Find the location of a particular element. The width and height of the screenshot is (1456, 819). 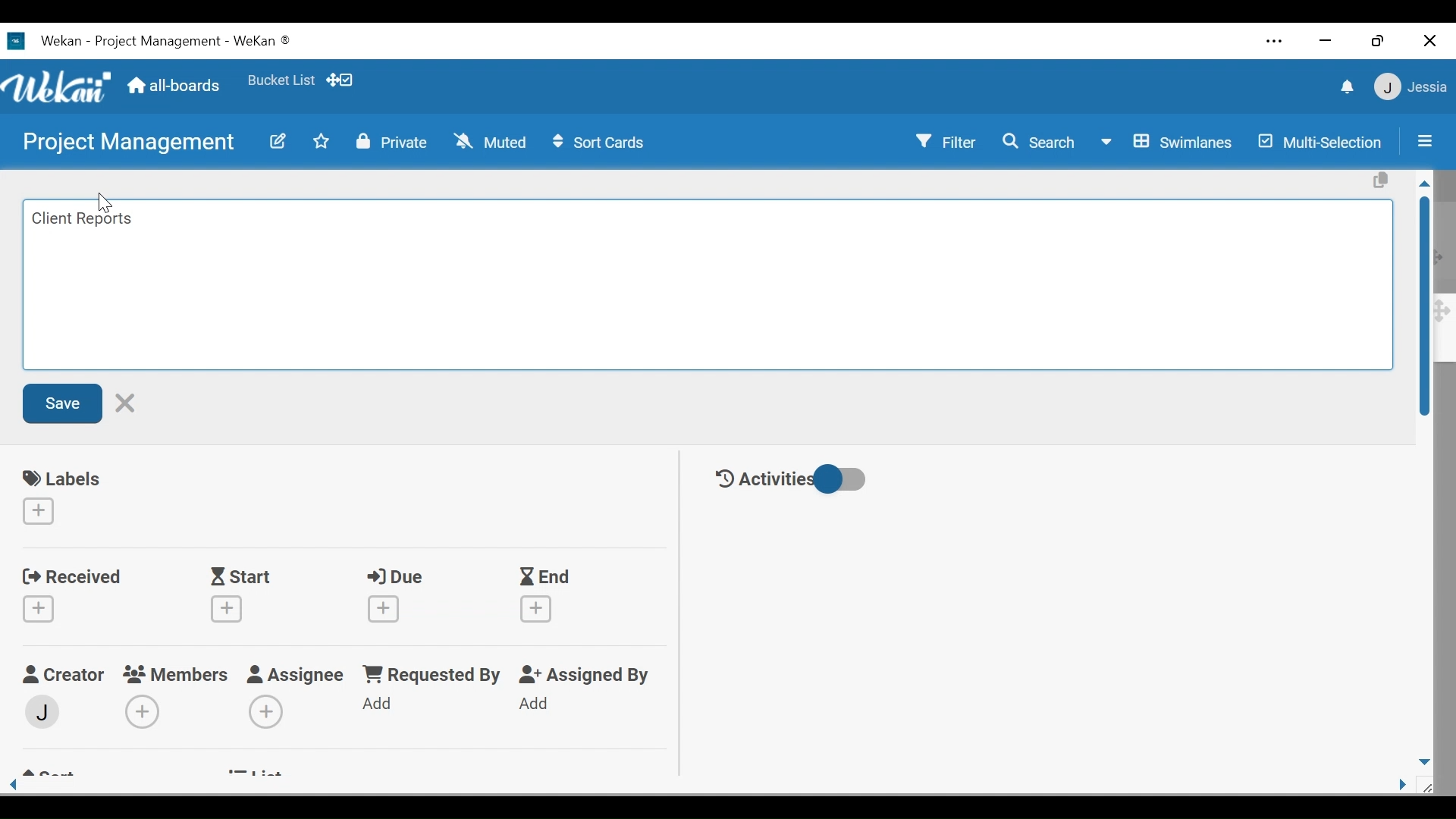

Cancel is located at coordinates (125, 403).